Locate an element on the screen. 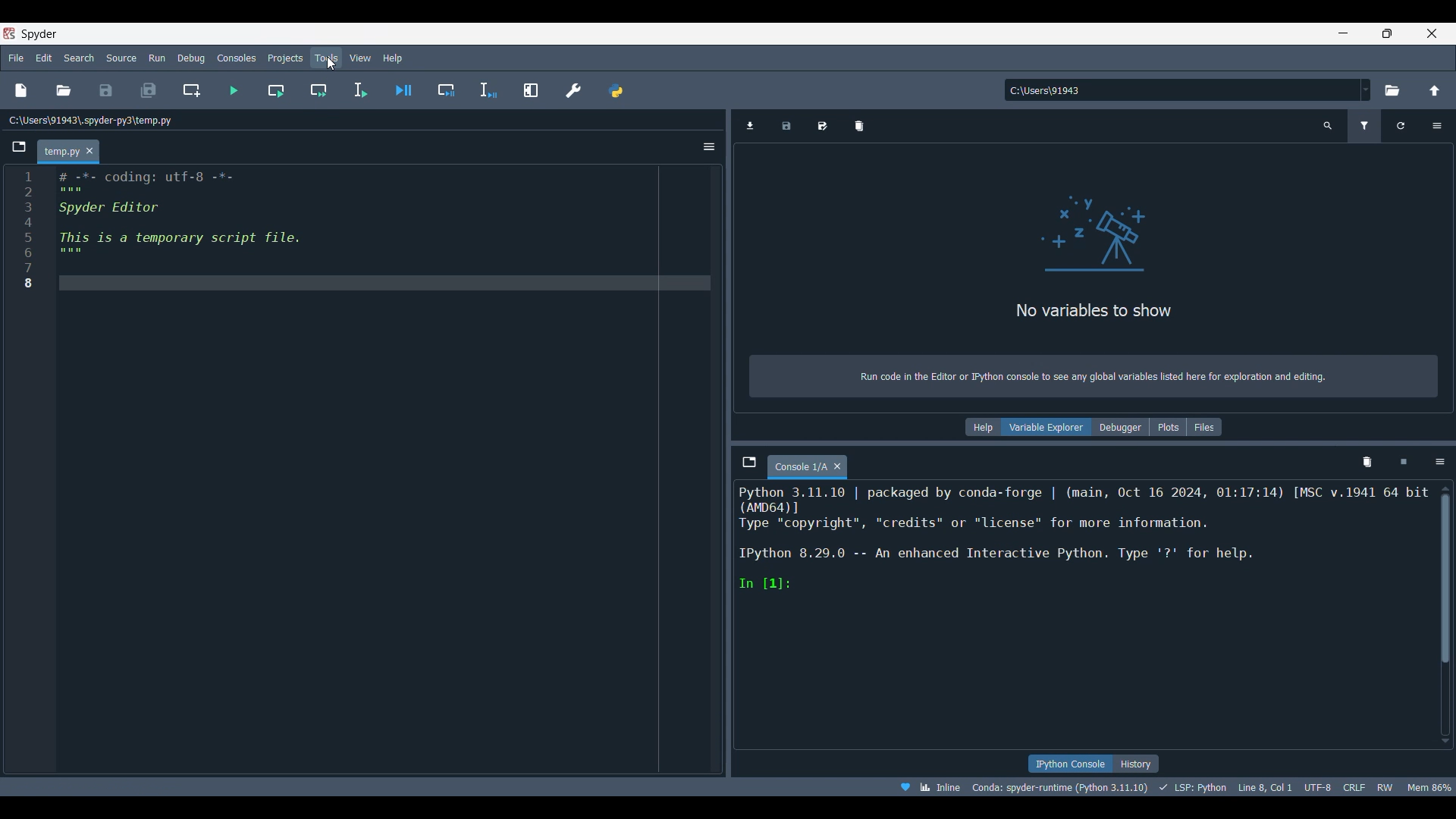  New is located at coordinates (20, 90).